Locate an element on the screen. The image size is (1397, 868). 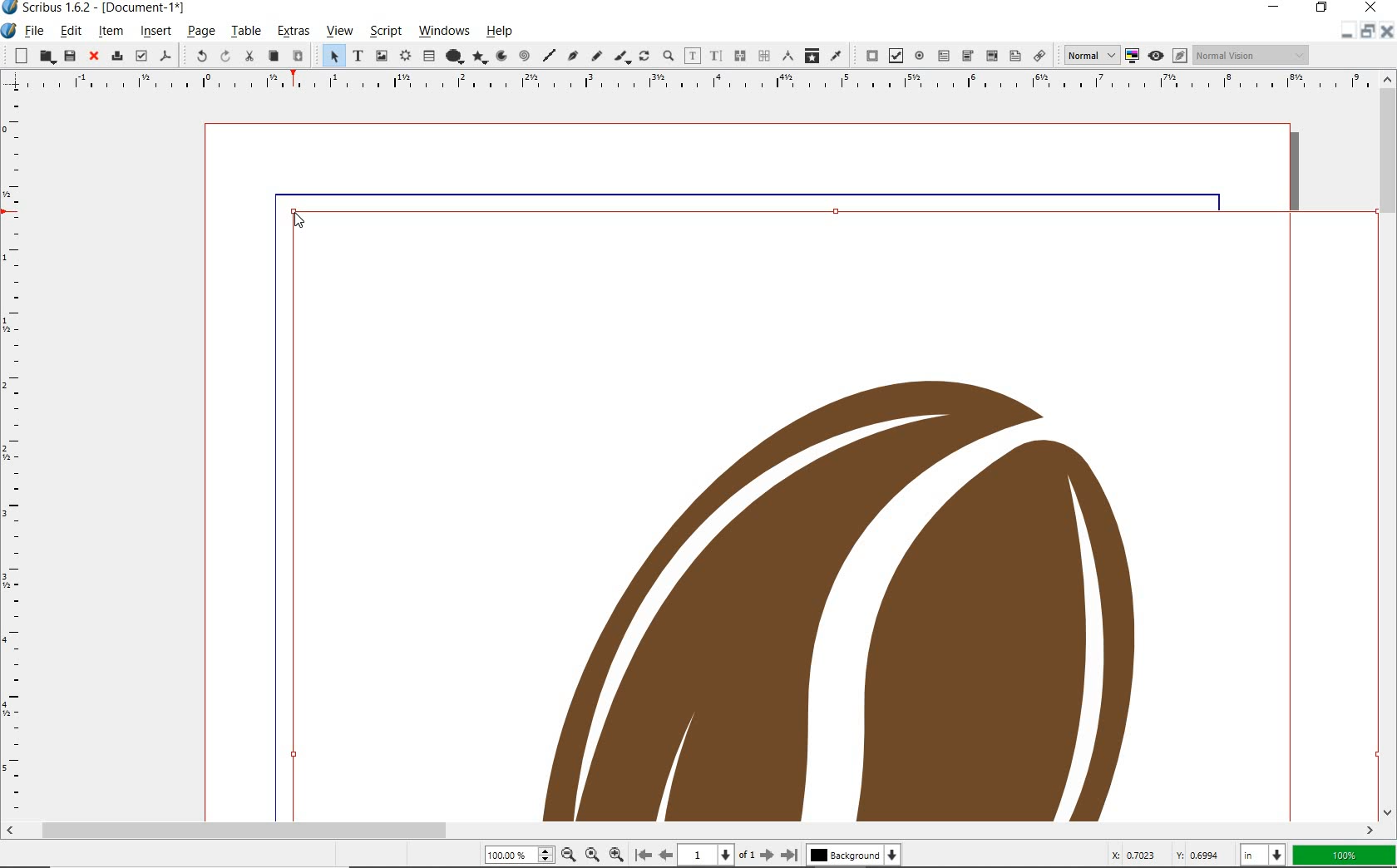
pdf text field is located at coordinates (944, 55).